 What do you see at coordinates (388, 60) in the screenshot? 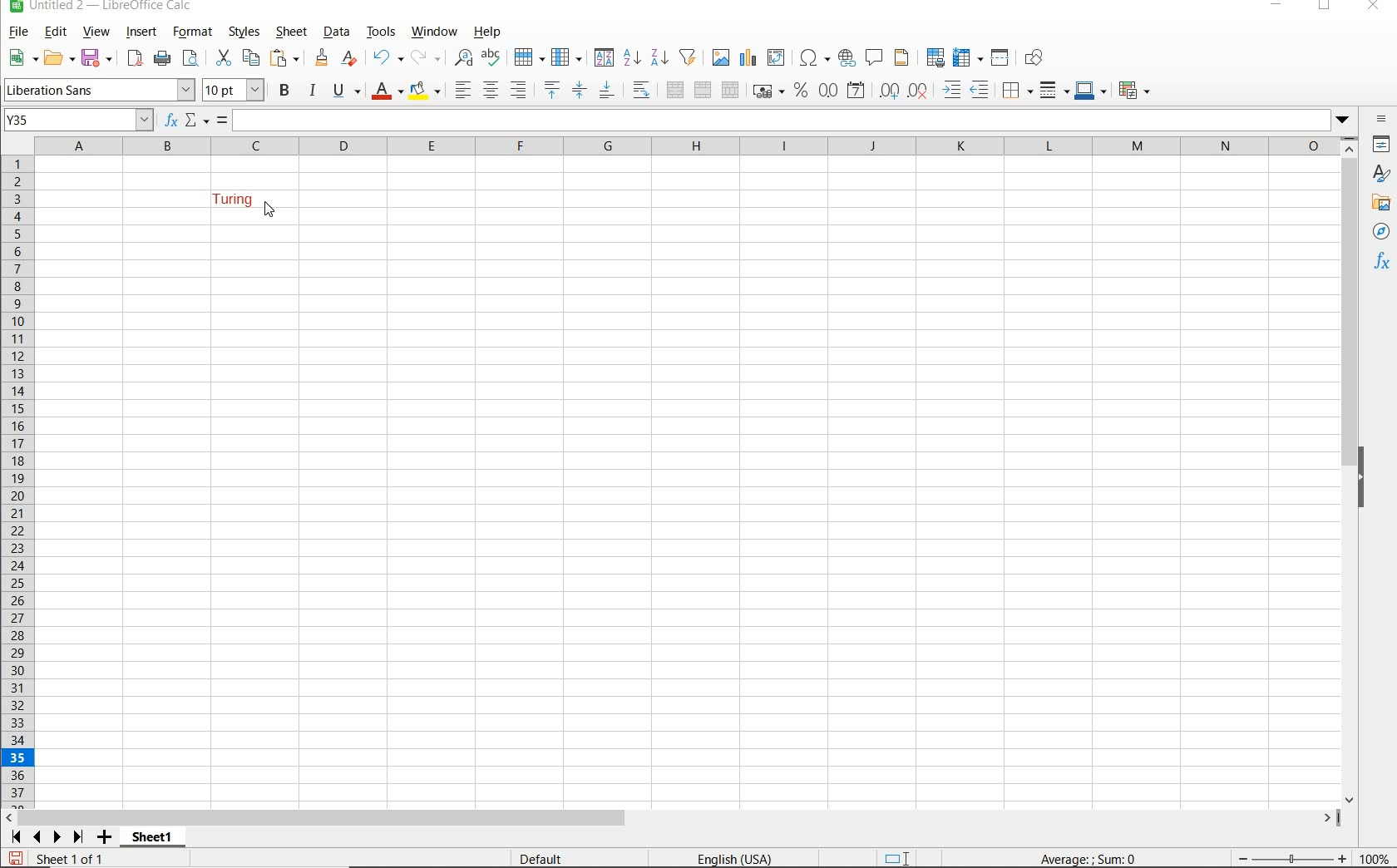
I see `REDO` at bounding box center [388, 60].